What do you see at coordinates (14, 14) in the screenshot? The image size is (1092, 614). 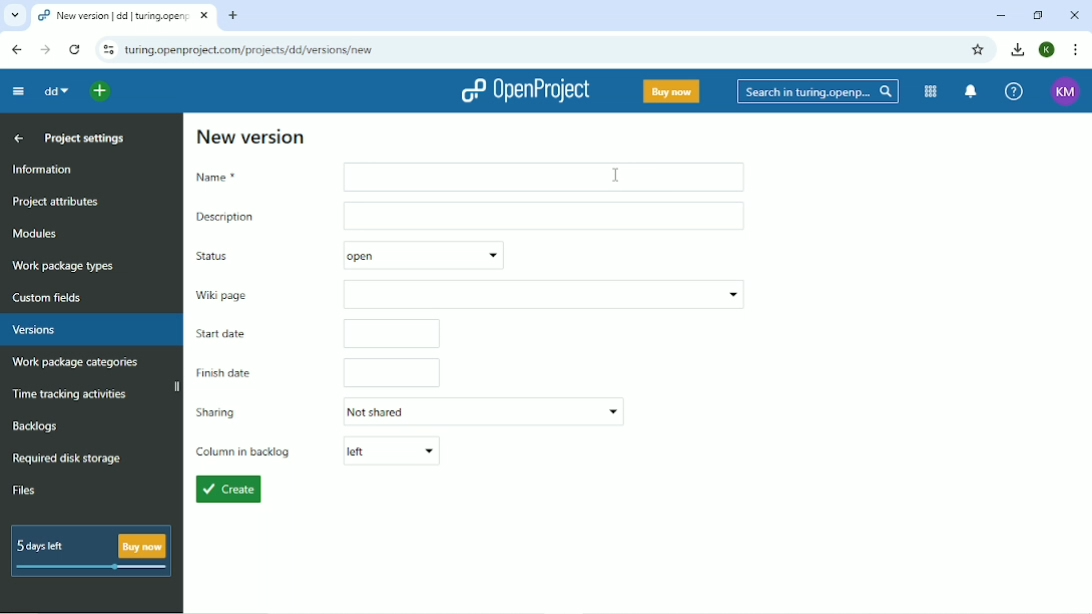 I see `Search tabs` at bounding box center [14, 14].